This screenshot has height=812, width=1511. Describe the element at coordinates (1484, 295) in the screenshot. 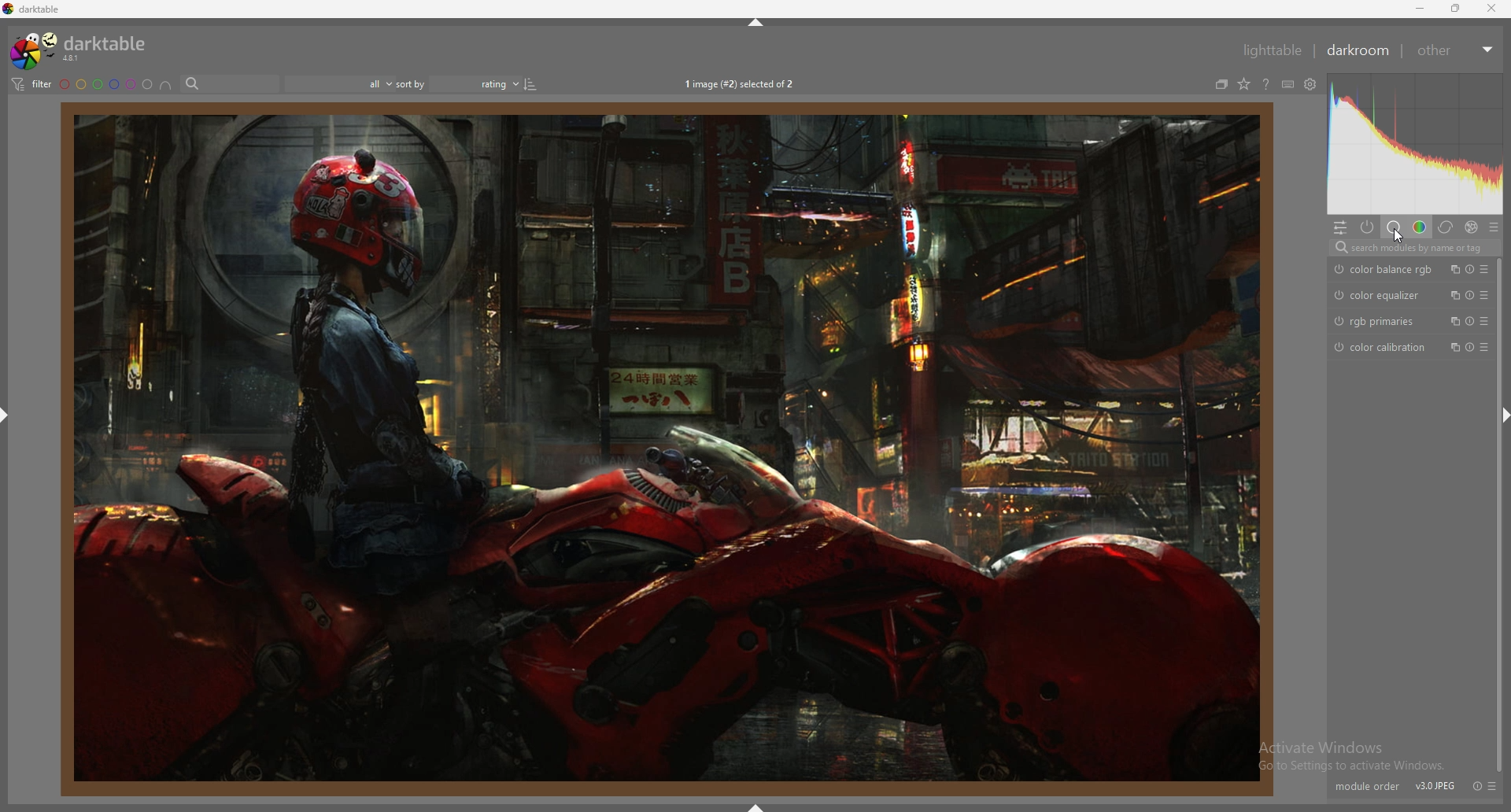

I see `presets` at that location.